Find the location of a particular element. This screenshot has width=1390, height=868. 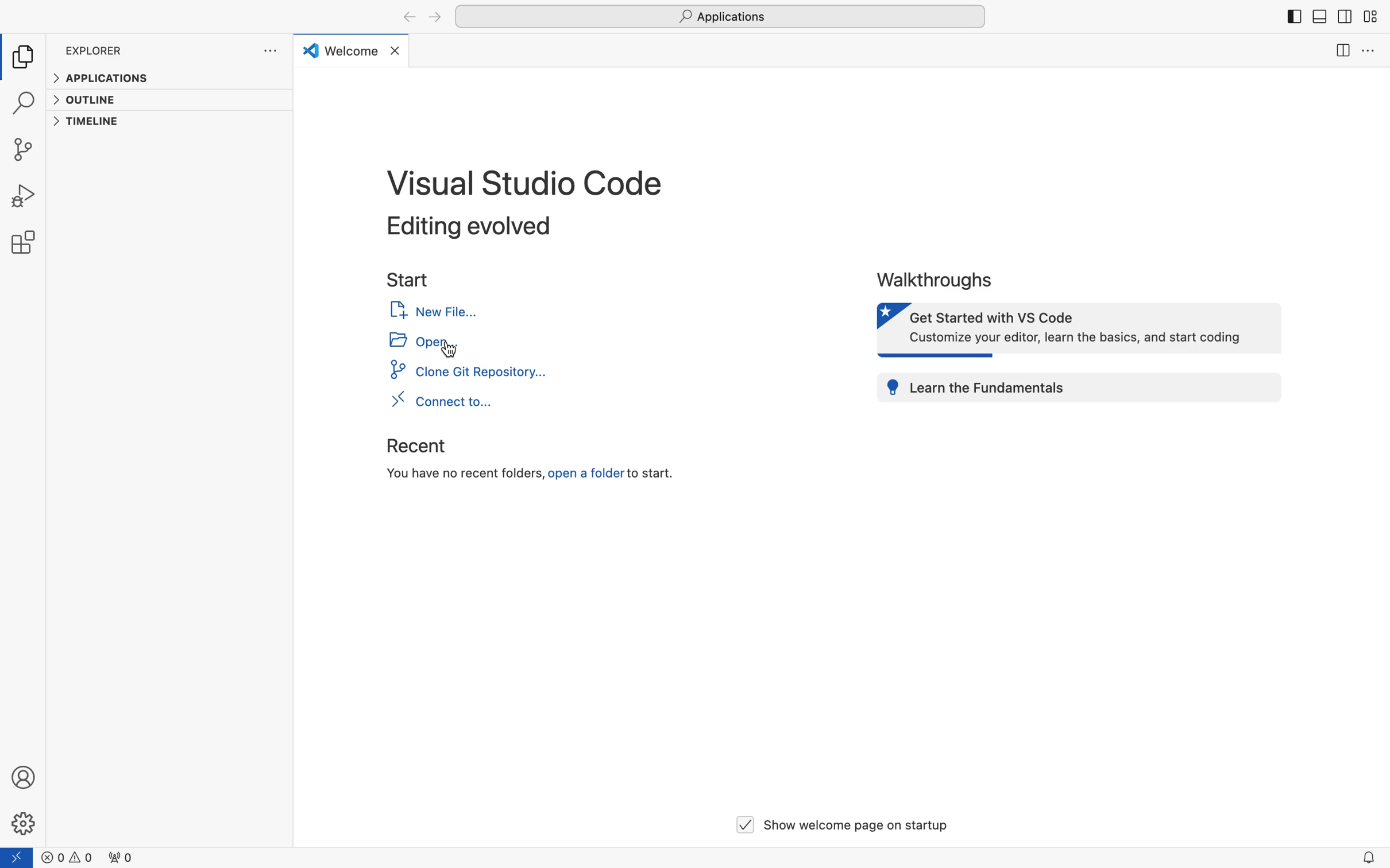

toggle primary side bar is located at coordinates (1295, 18).